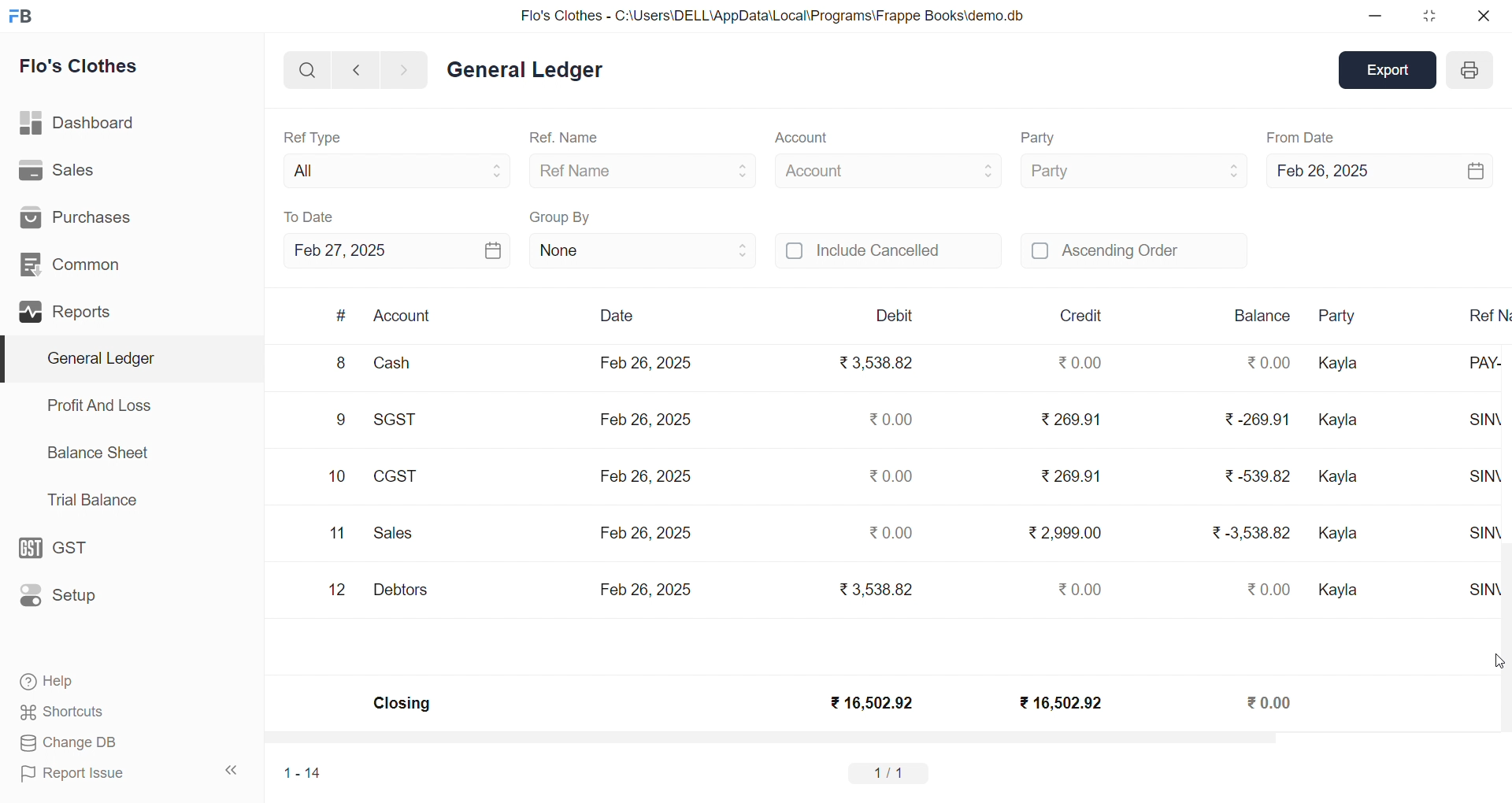 The image size is (1512, 803). What do you see at coordinates (312, 136) in the screenshot?
I see `Ref Type` at bounding box center [312, 136].